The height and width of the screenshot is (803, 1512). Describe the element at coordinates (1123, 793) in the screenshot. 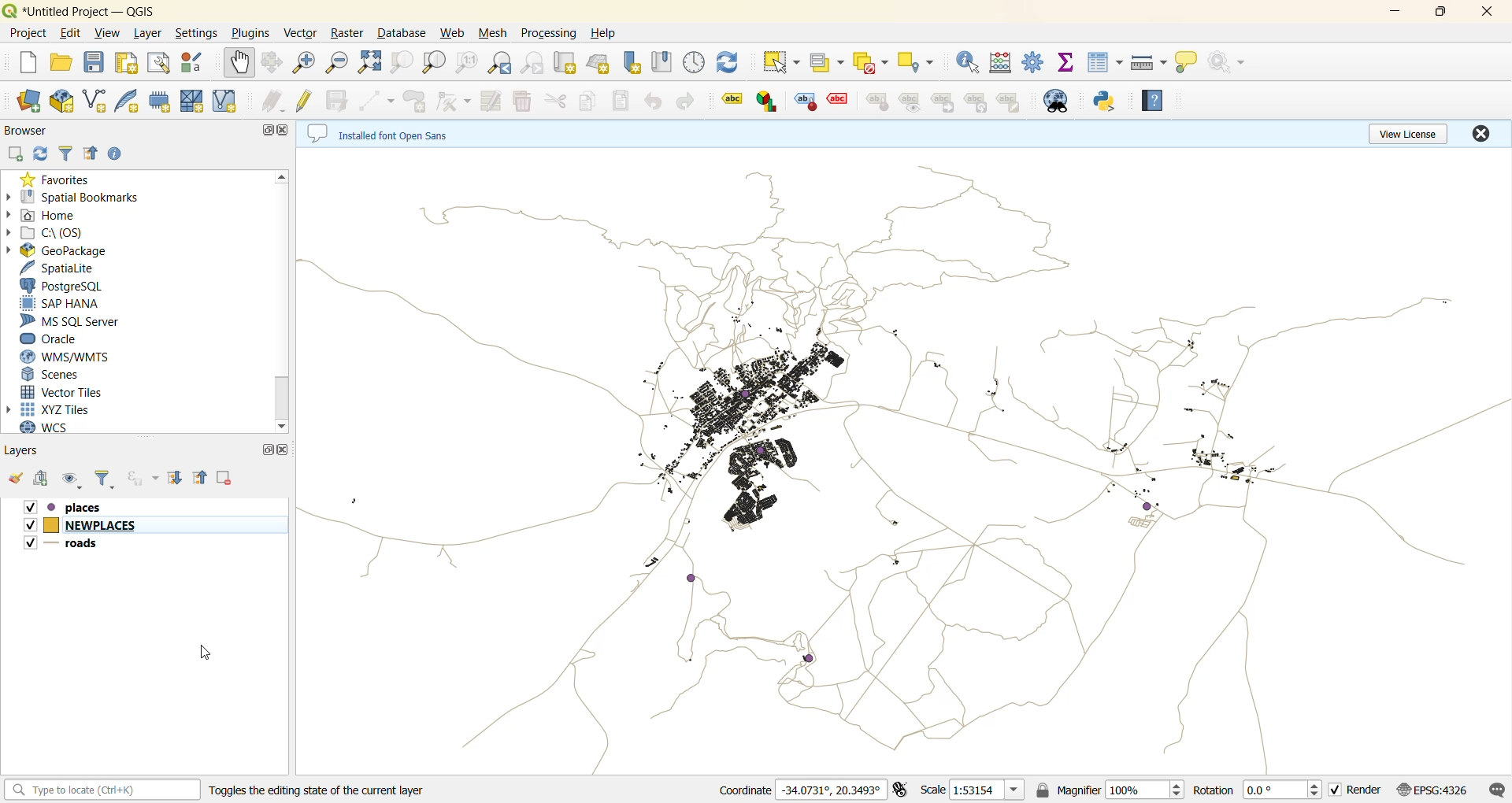

I see `magnifier` at that location.